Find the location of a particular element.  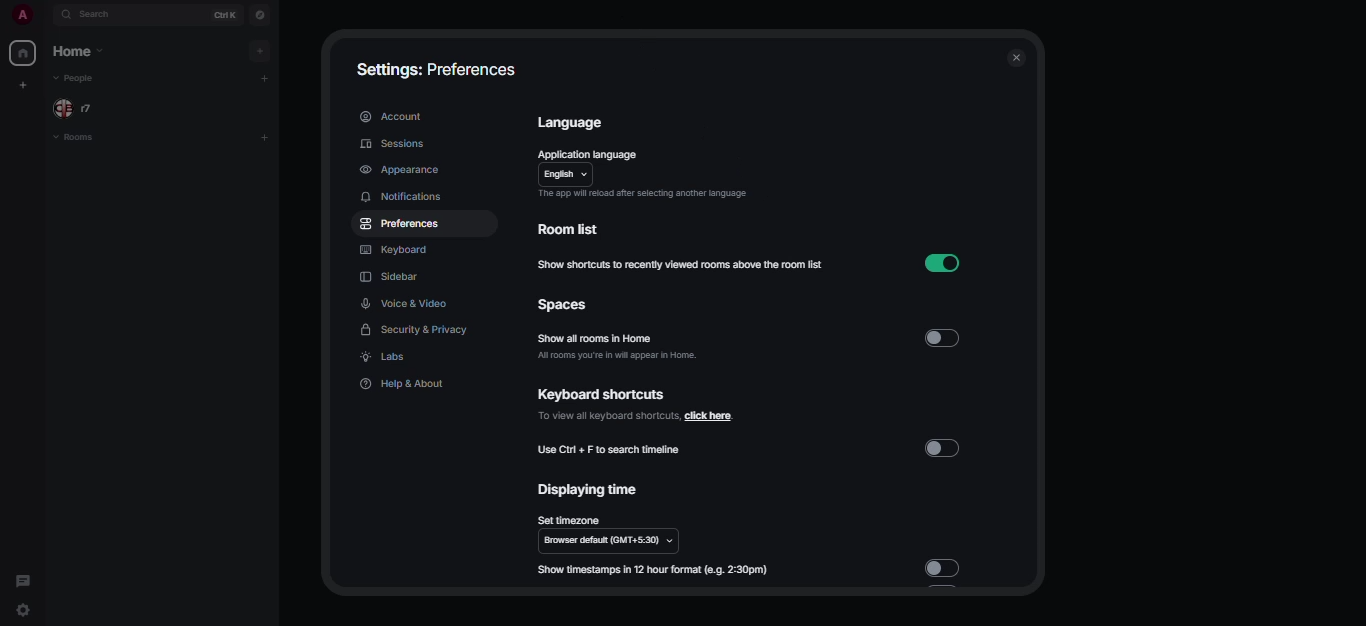

all rooms you're in will appear in home is located at coordinates (616, 356).